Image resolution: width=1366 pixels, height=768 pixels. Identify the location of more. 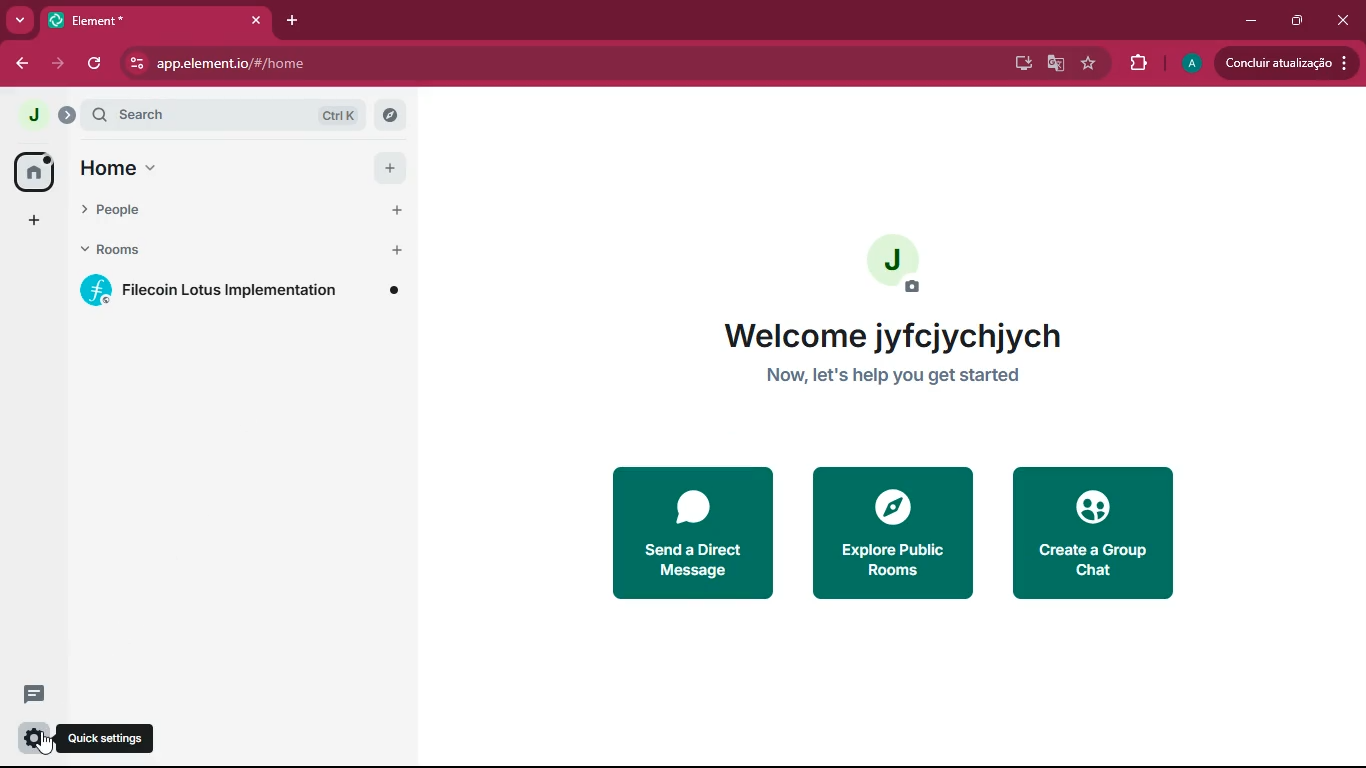
(34, 222).